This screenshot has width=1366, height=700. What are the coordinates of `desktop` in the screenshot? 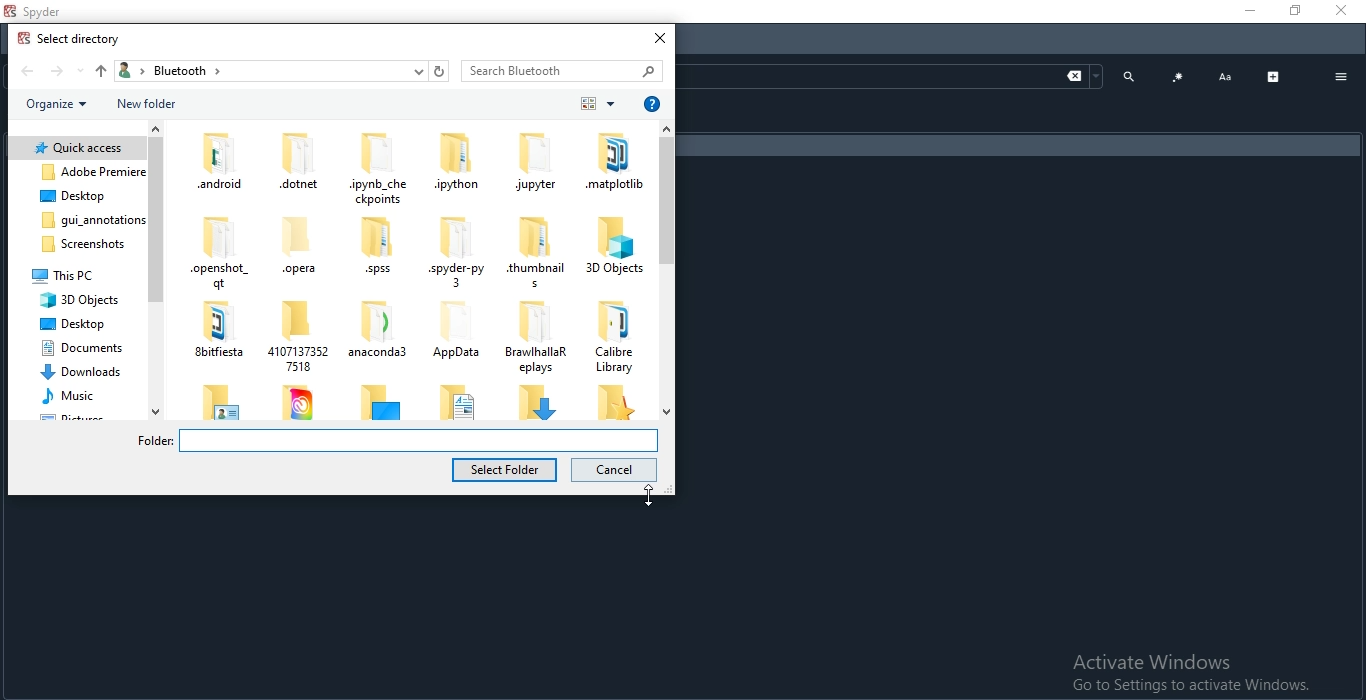 It's located at (76, 195).